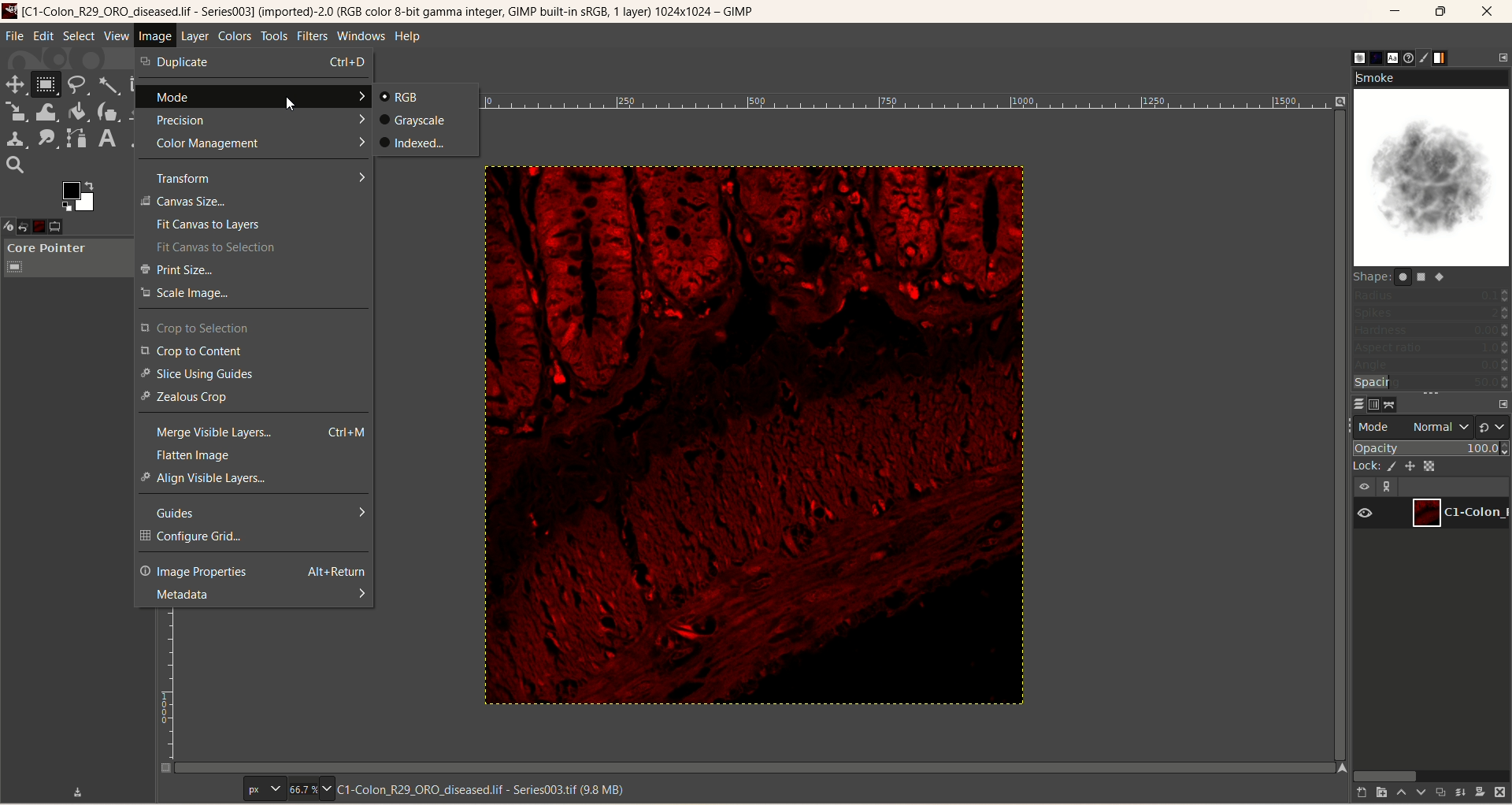 This screenshot has height=805, width=1512. I want to click on RGB, so click(400, 97).